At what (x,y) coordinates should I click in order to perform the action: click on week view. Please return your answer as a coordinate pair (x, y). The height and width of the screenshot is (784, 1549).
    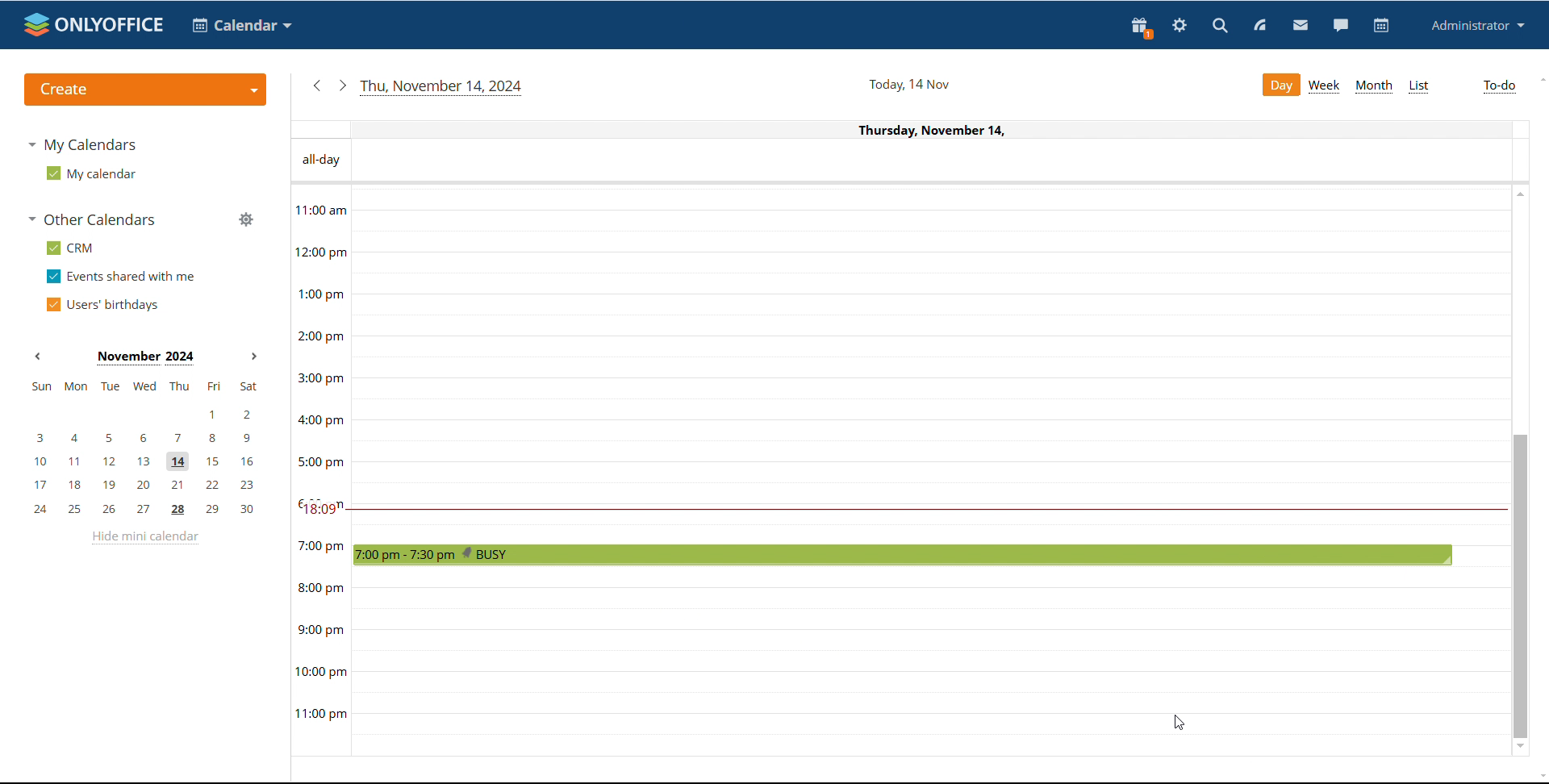
    Looking at the image, I should click on (1325, 85).